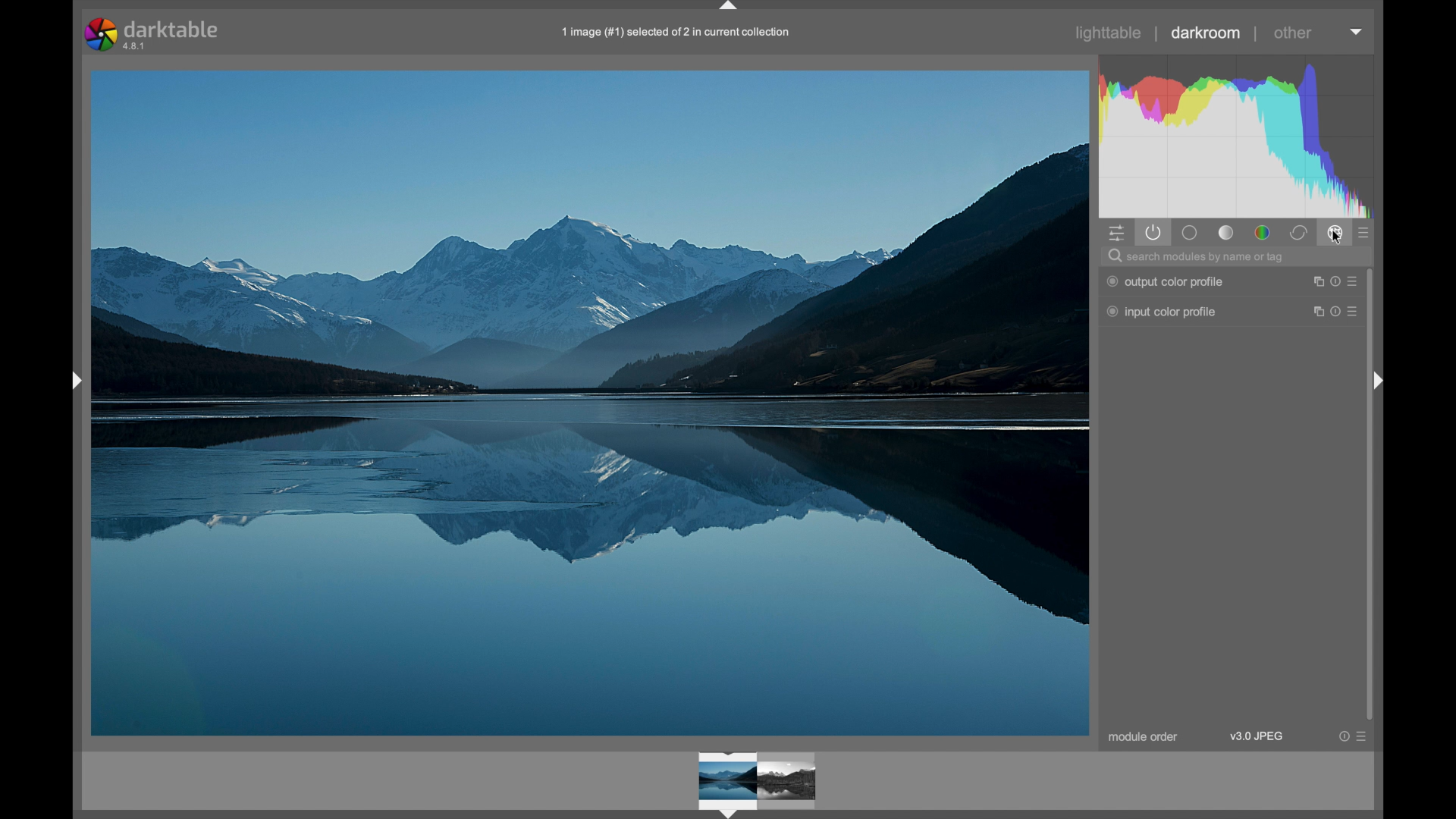  What do you see at coordinates (1196, 258) in the screenshot?
I see `search modules by name or tag` at bounding box center [1196, 258].